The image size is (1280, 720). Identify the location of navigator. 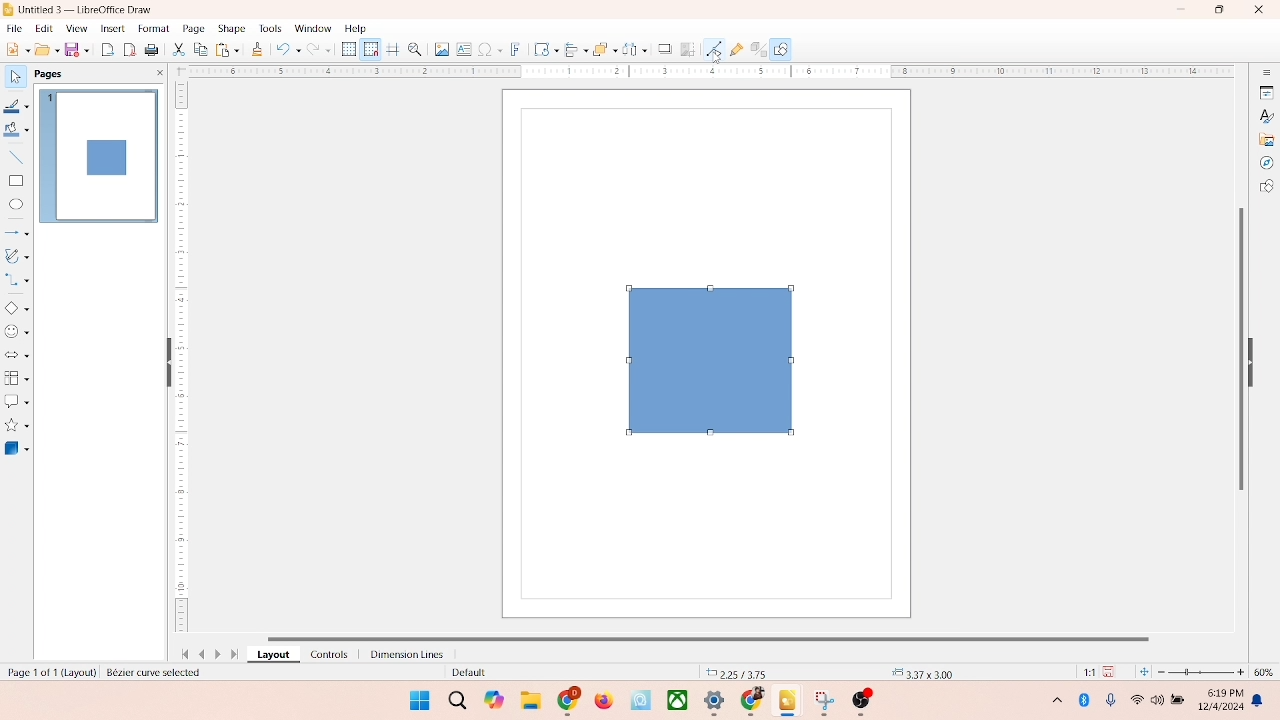
(1266, 163).